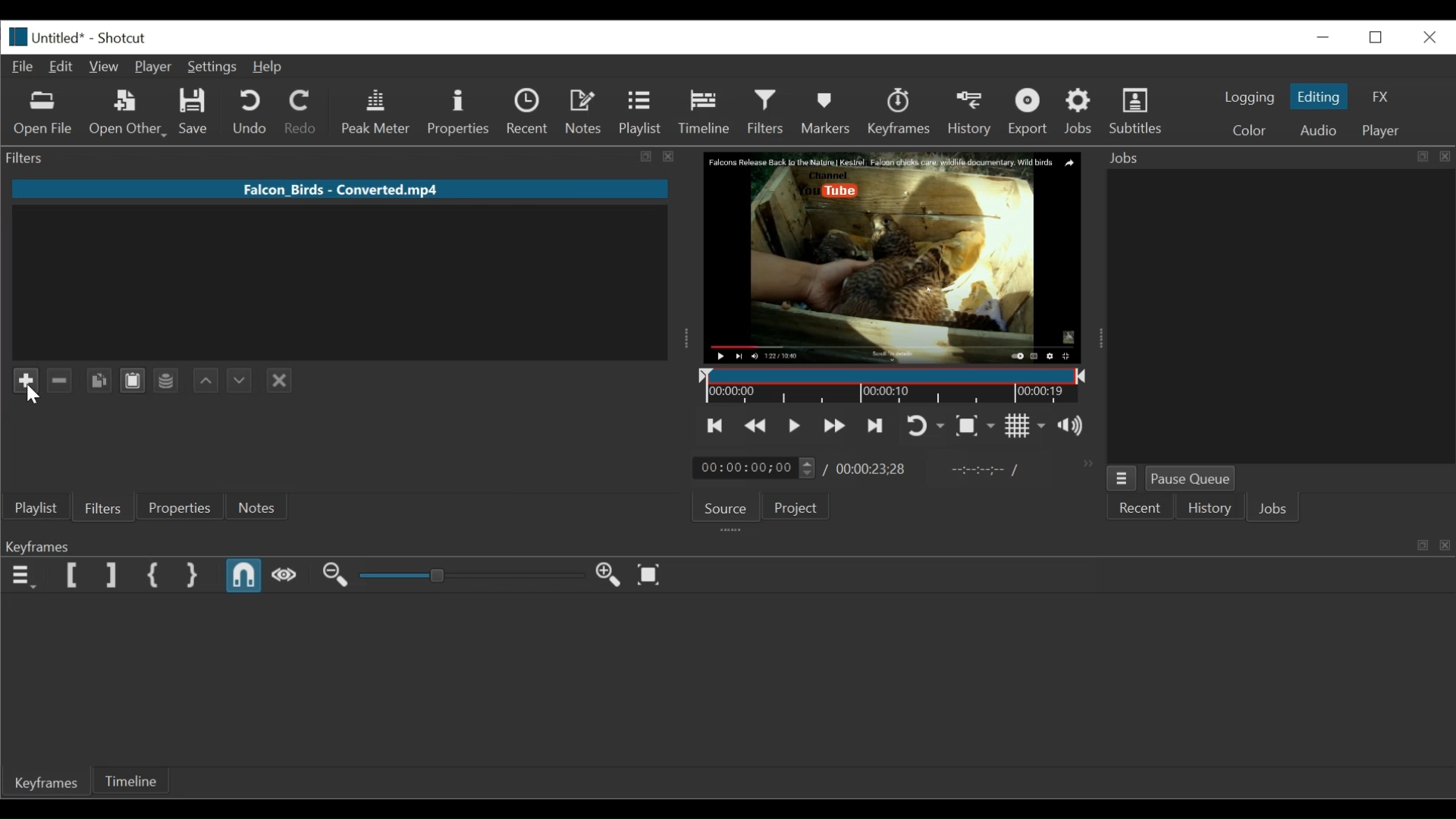 This screenshot has height=819, width=1456. I want to click on Subtitles, so click(1136, 111).